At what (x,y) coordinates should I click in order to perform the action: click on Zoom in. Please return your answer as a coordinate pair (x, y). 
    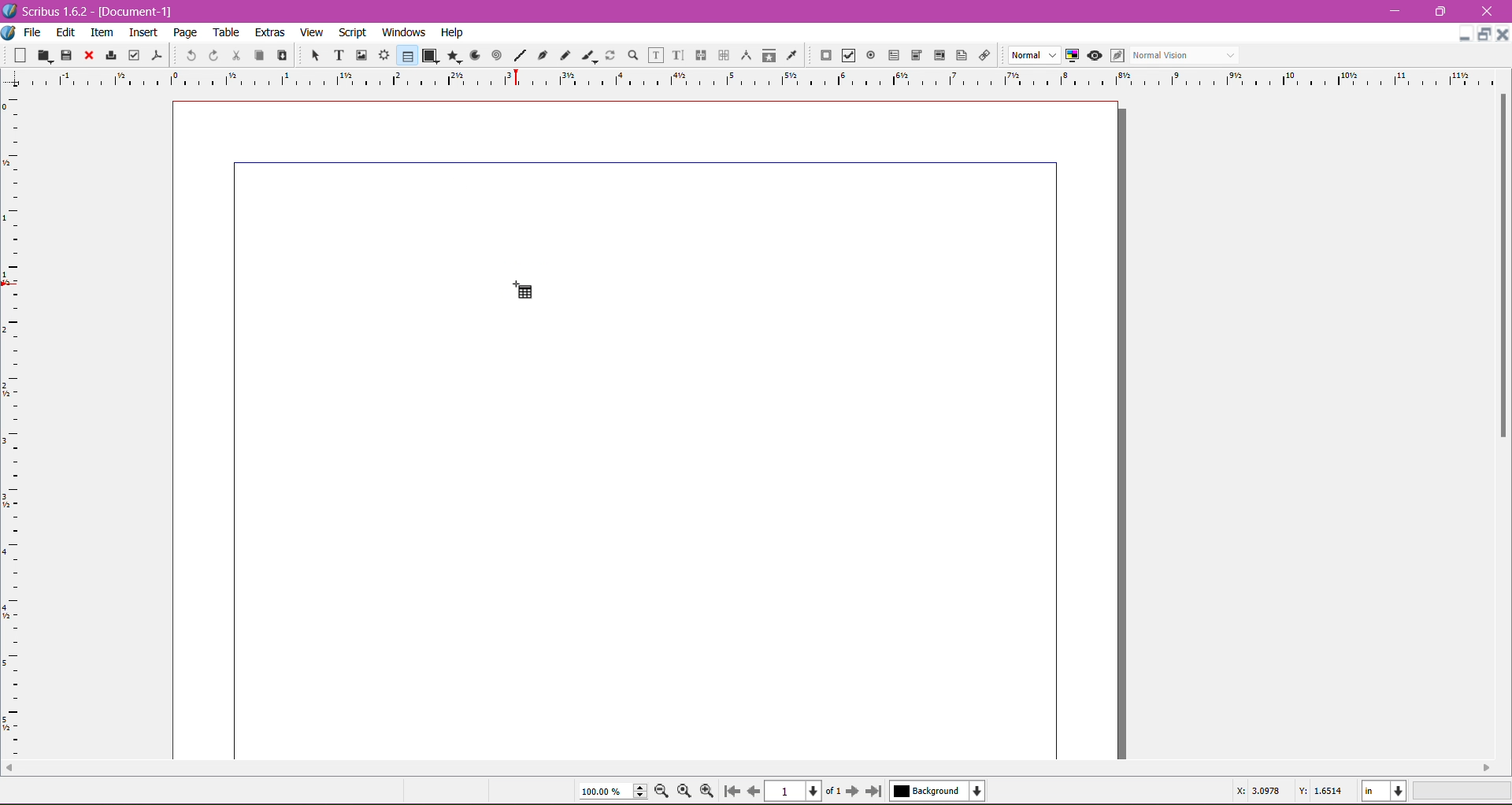
    Looking at the image, I should click on (708, 791).